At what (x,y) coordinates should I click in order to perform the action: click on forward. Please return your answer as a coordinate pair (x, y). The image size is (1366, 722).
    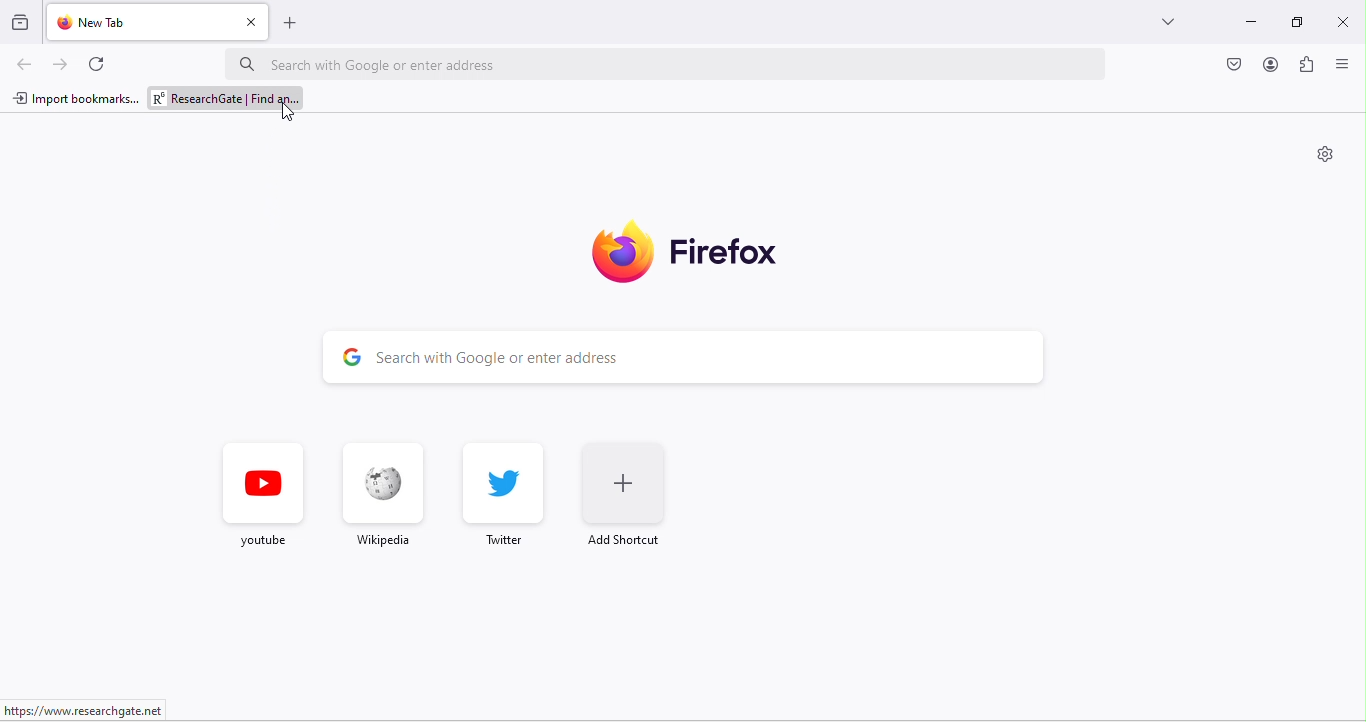
    Looking at the image, I should click on (65, 65).